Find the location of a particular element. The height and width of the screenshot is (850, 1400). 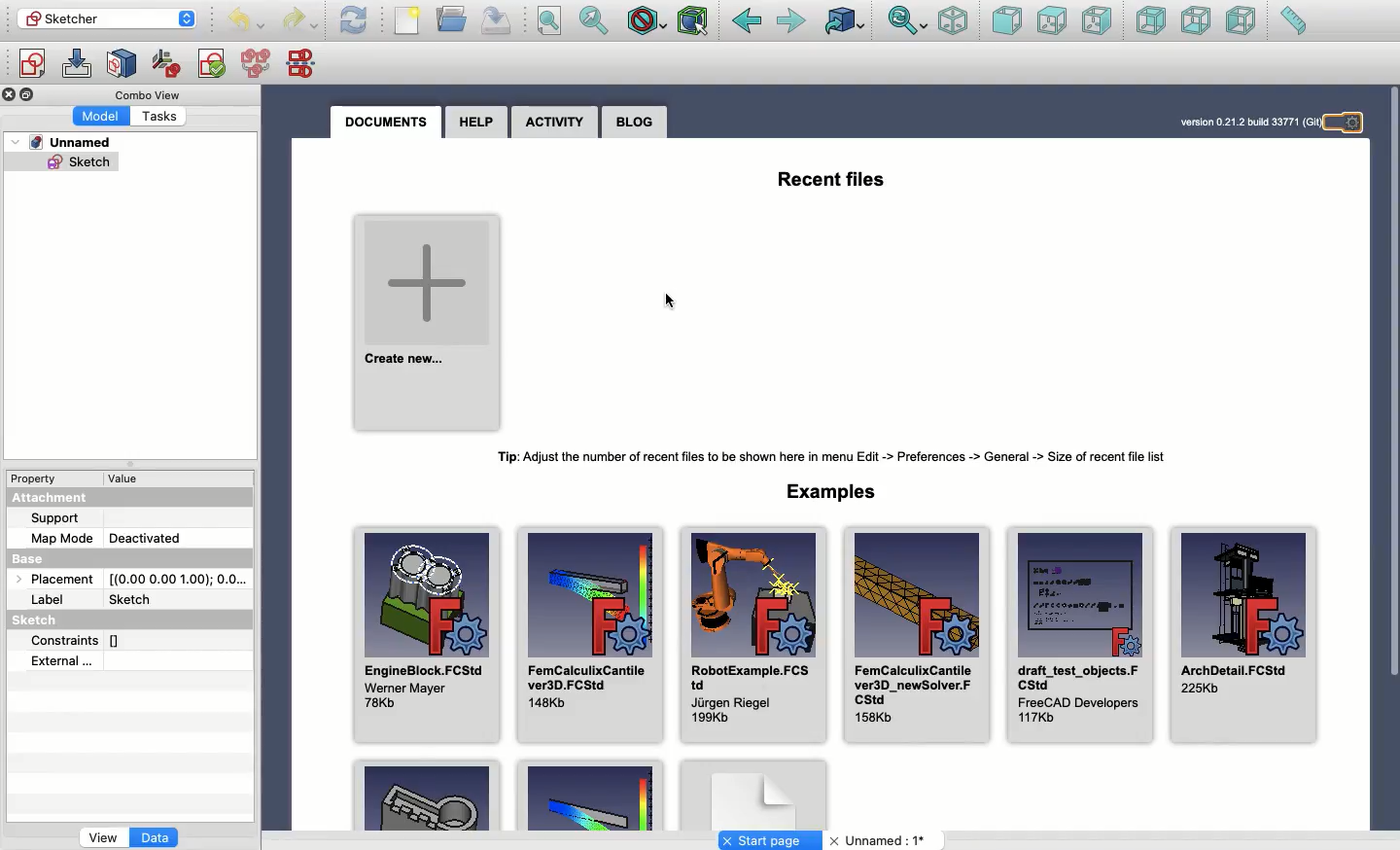

Help is located at coordinates (477, 121).